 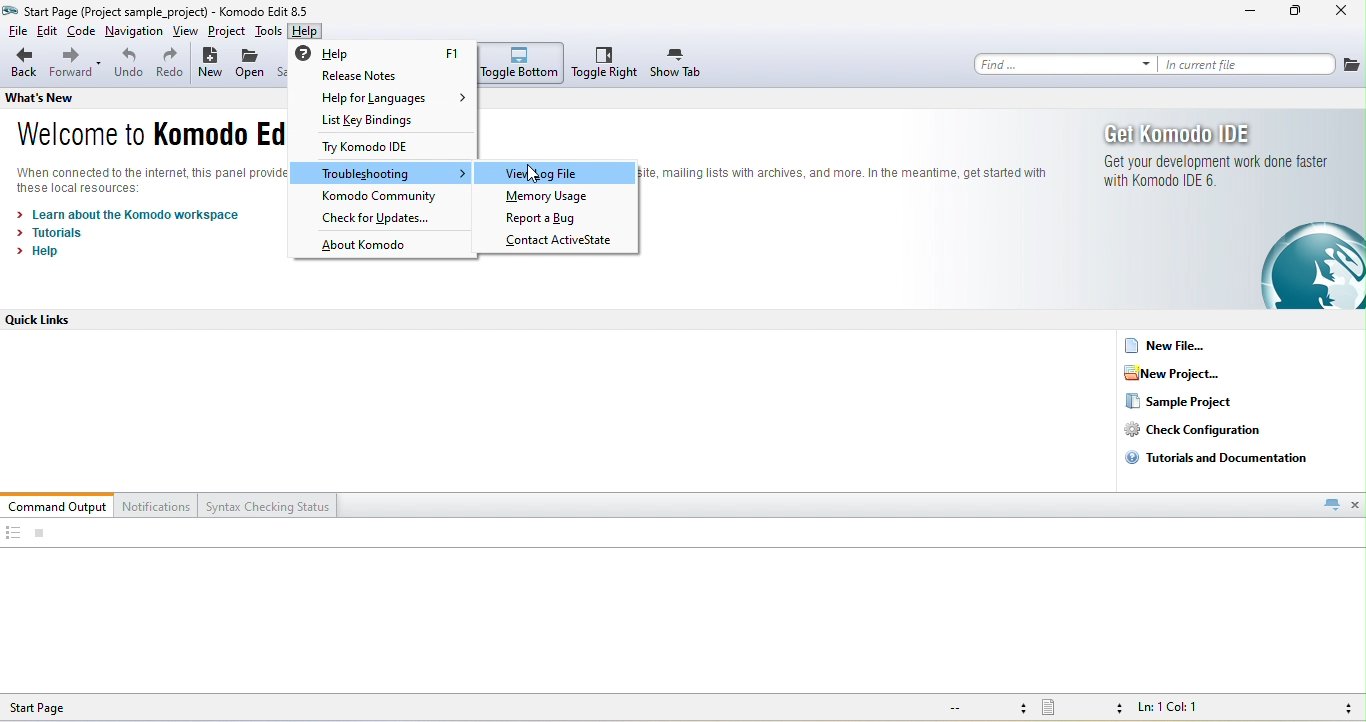 I want to click on troubleshooting, so click(x=384, y=174).